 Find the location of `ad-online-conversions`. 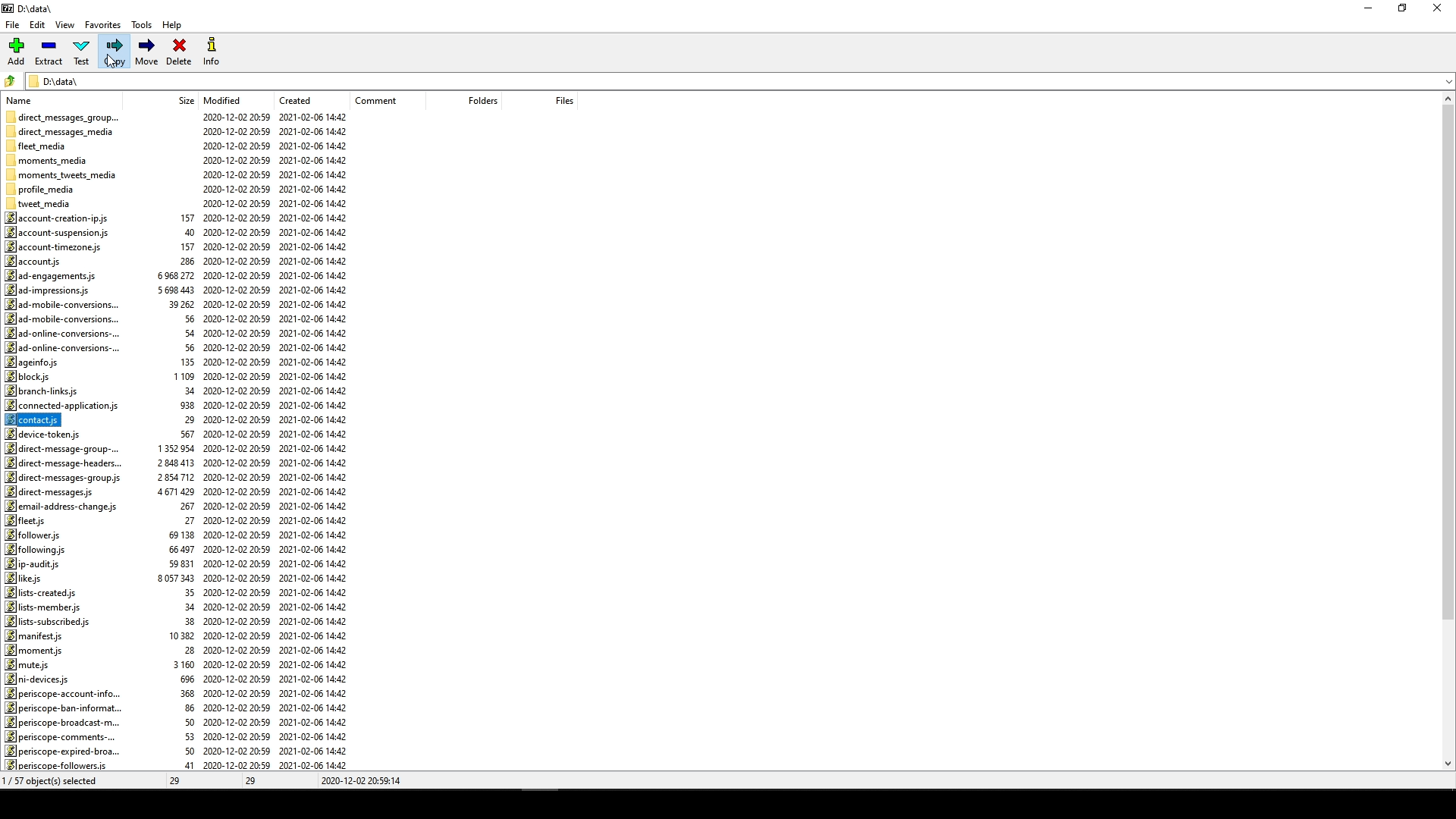

ad-online-conversions is located at coordinates (63, 333).